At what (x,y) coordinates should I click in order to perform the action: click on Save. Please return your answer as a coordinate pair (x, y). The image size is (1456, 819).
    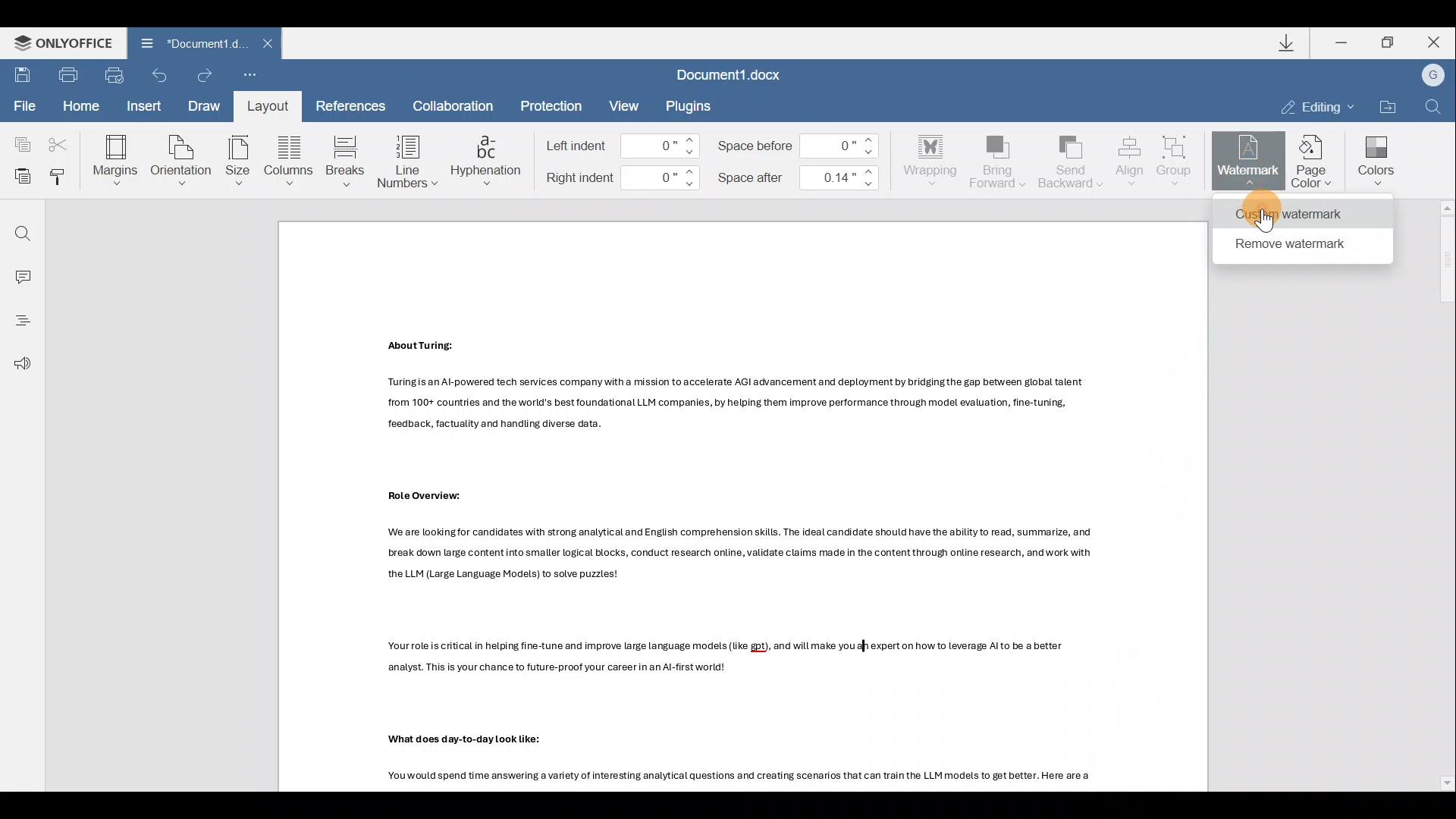
    Looking at the image, I should click on (20, 76).